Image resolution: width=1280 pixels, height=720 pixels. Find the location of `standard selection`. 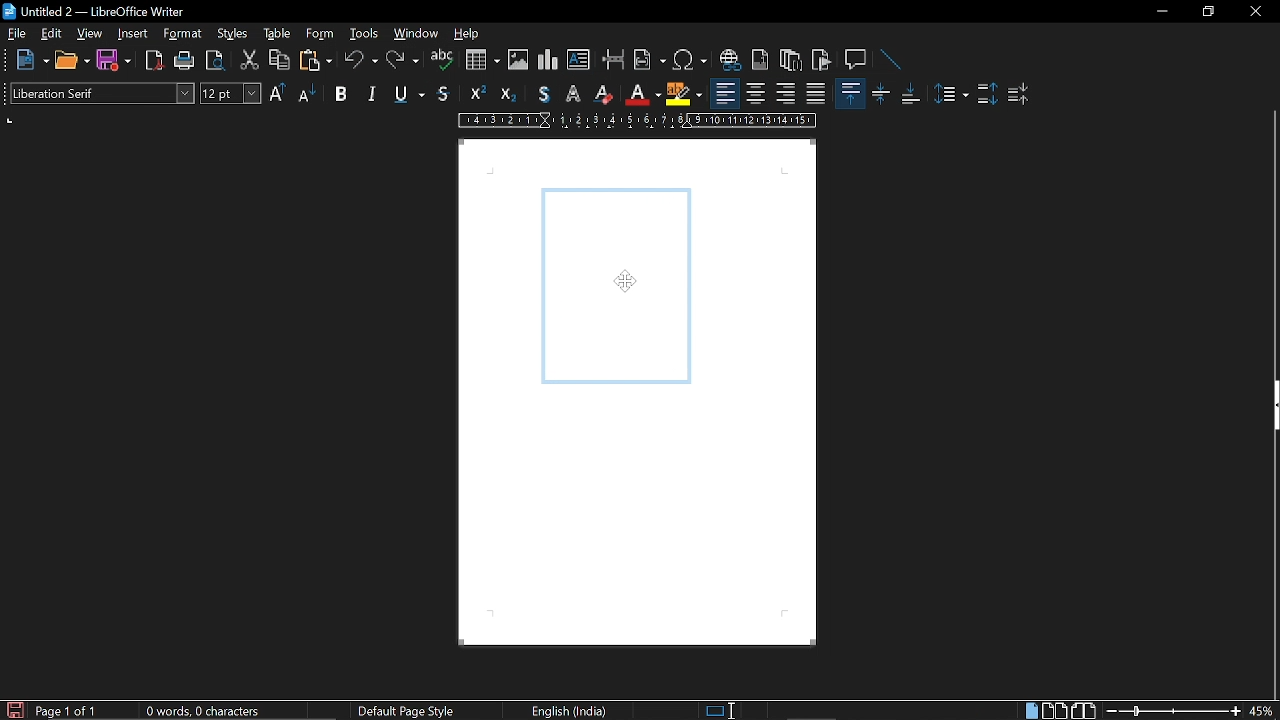

standard selection is located at coordinates (722, 710).